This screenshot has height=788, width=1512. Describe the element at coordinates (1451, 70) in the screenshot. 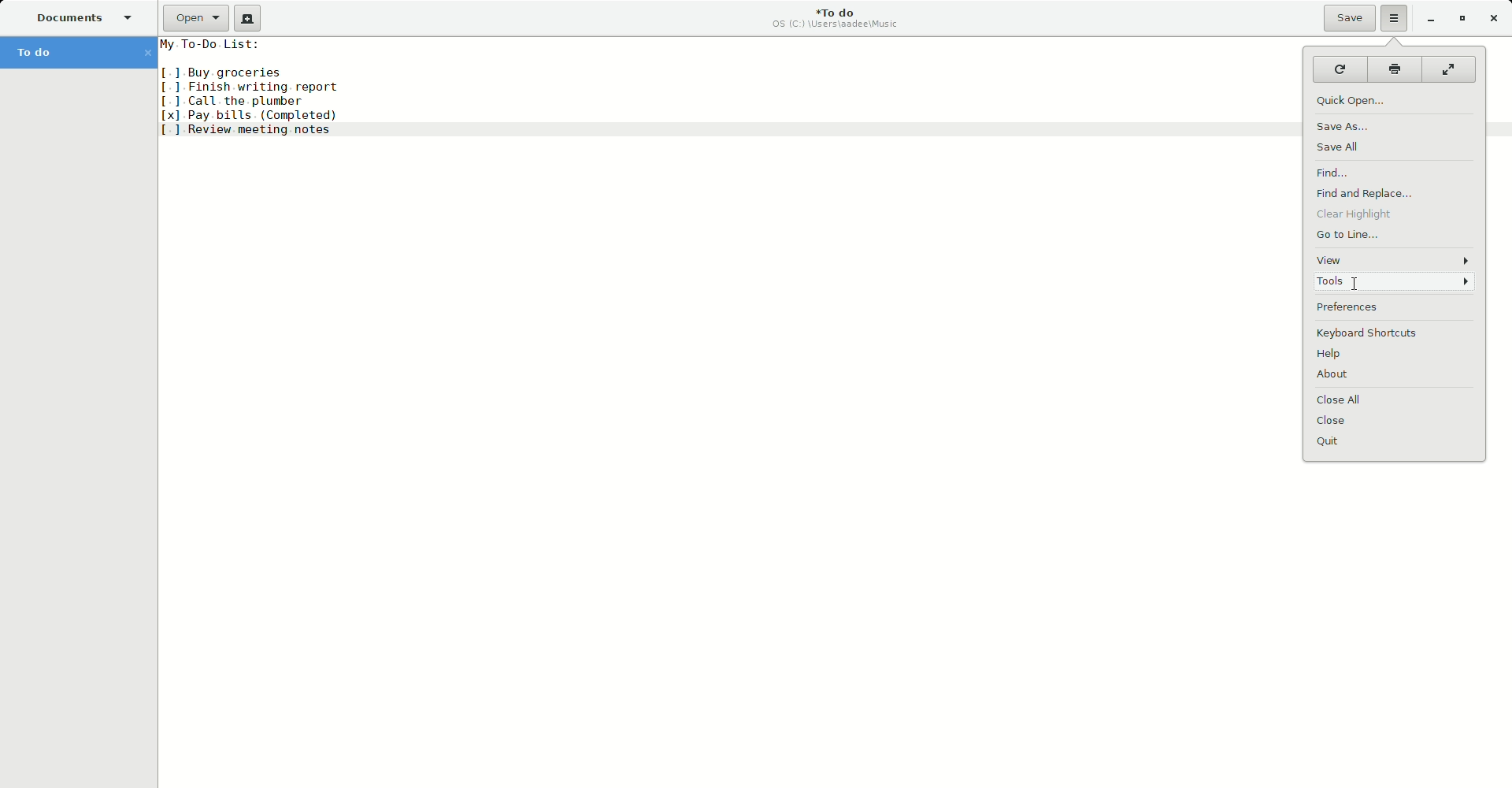

I see `Fullscreen` at that location.